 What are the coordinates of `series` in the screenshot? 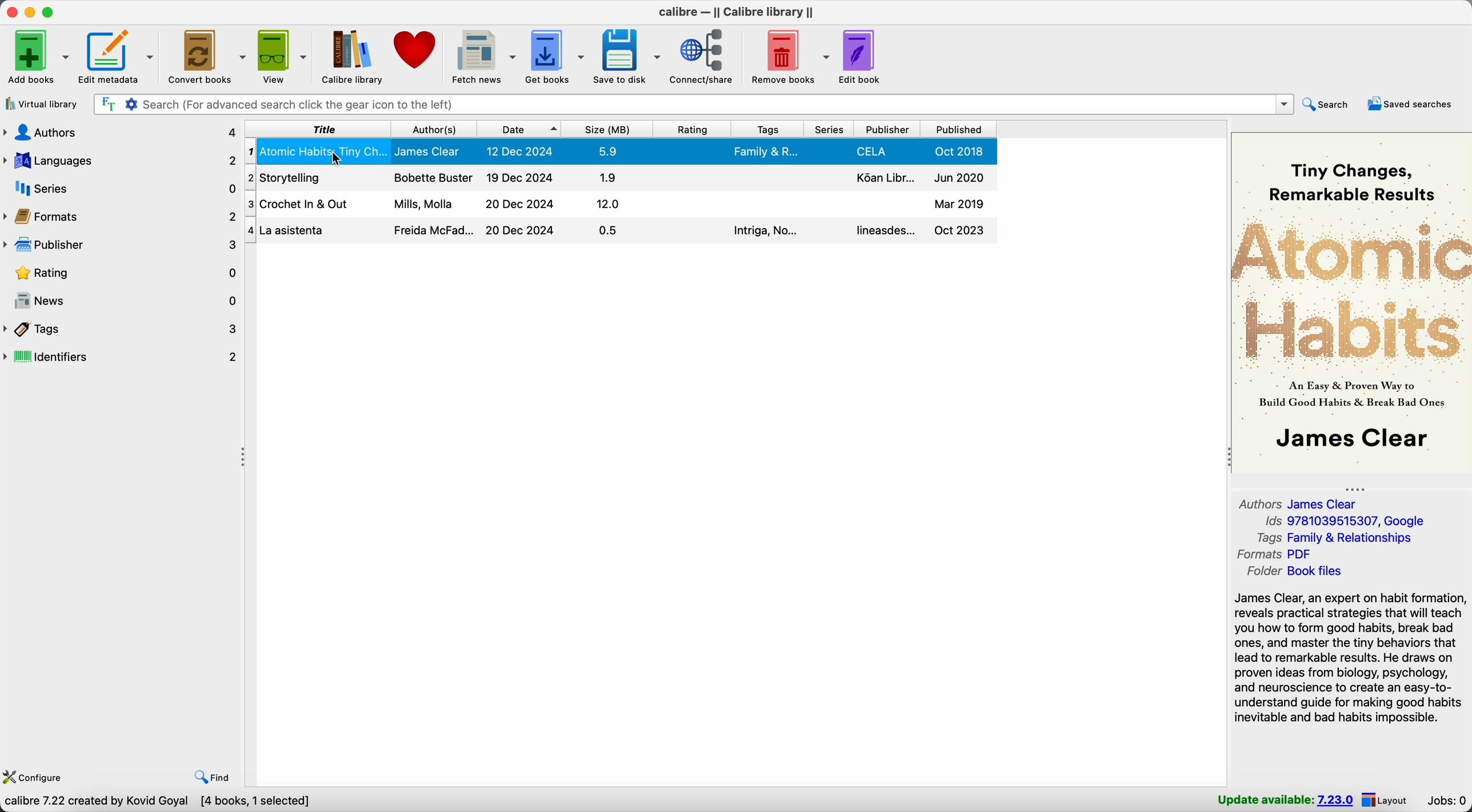 It's located at (831, 129).